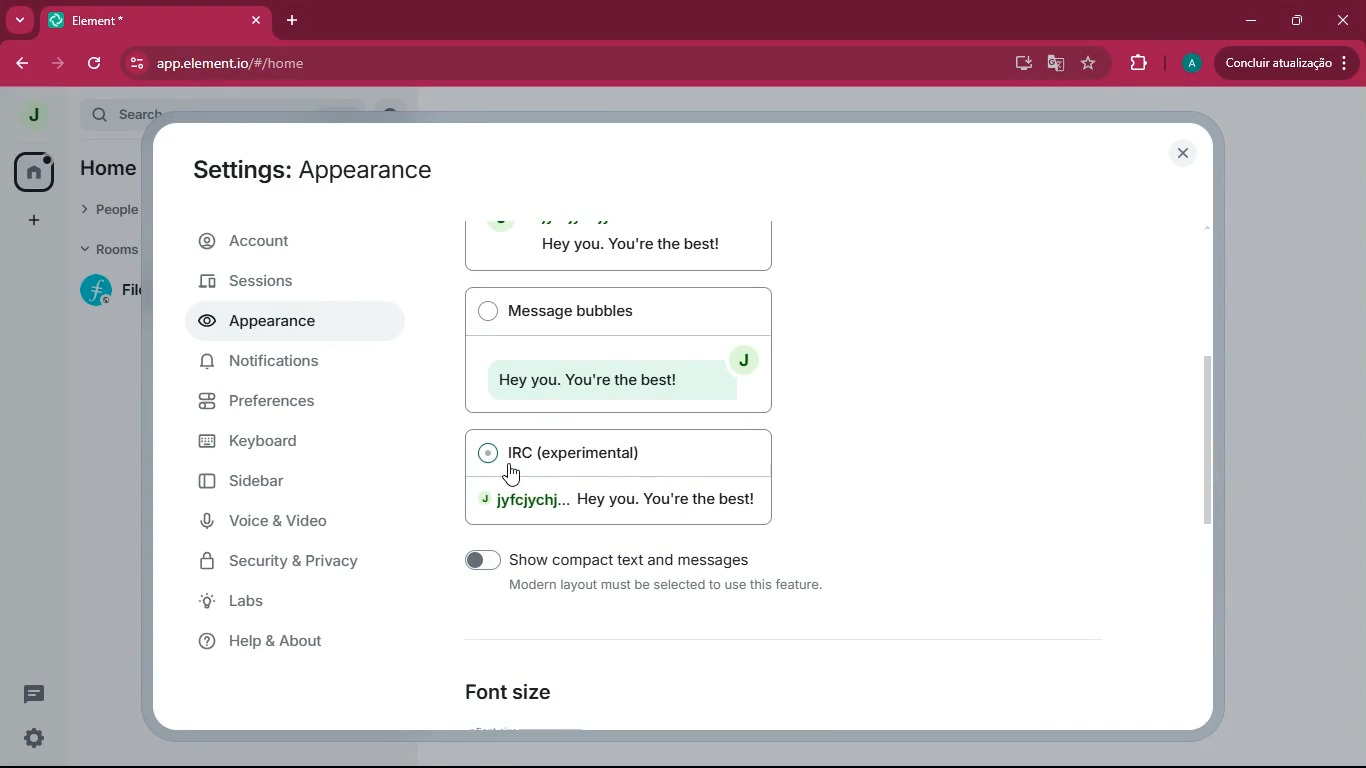 The image size is (1366, 768). What do you see at coordinates (1089, 63) in the screenshot?
I see `favourite` at bounding box center [1089, 63].